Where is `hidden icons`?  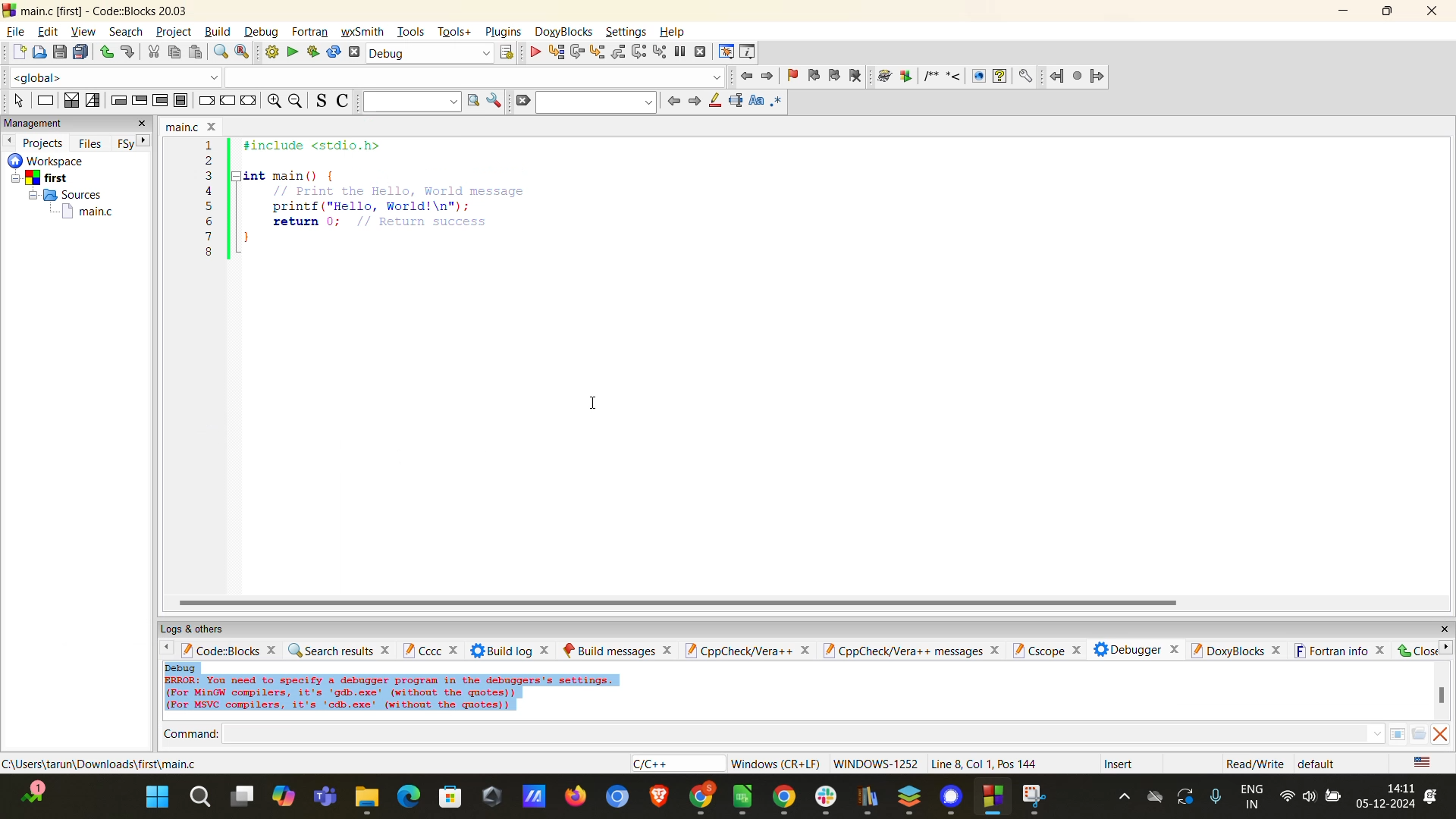 hidden icons is located at coordinates (1123, 795).